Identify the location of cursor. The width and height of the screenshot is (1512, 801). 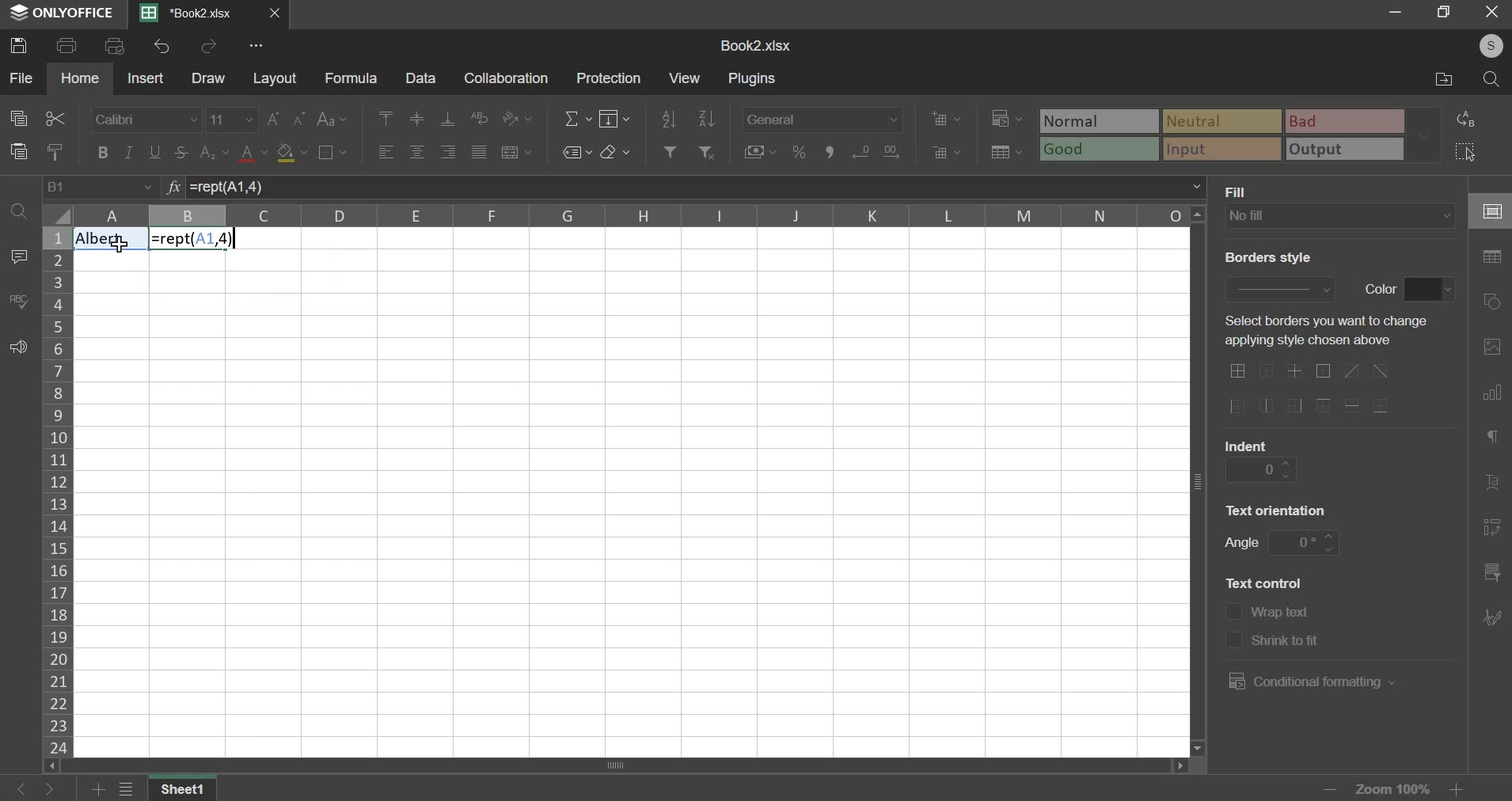
(120, 244).